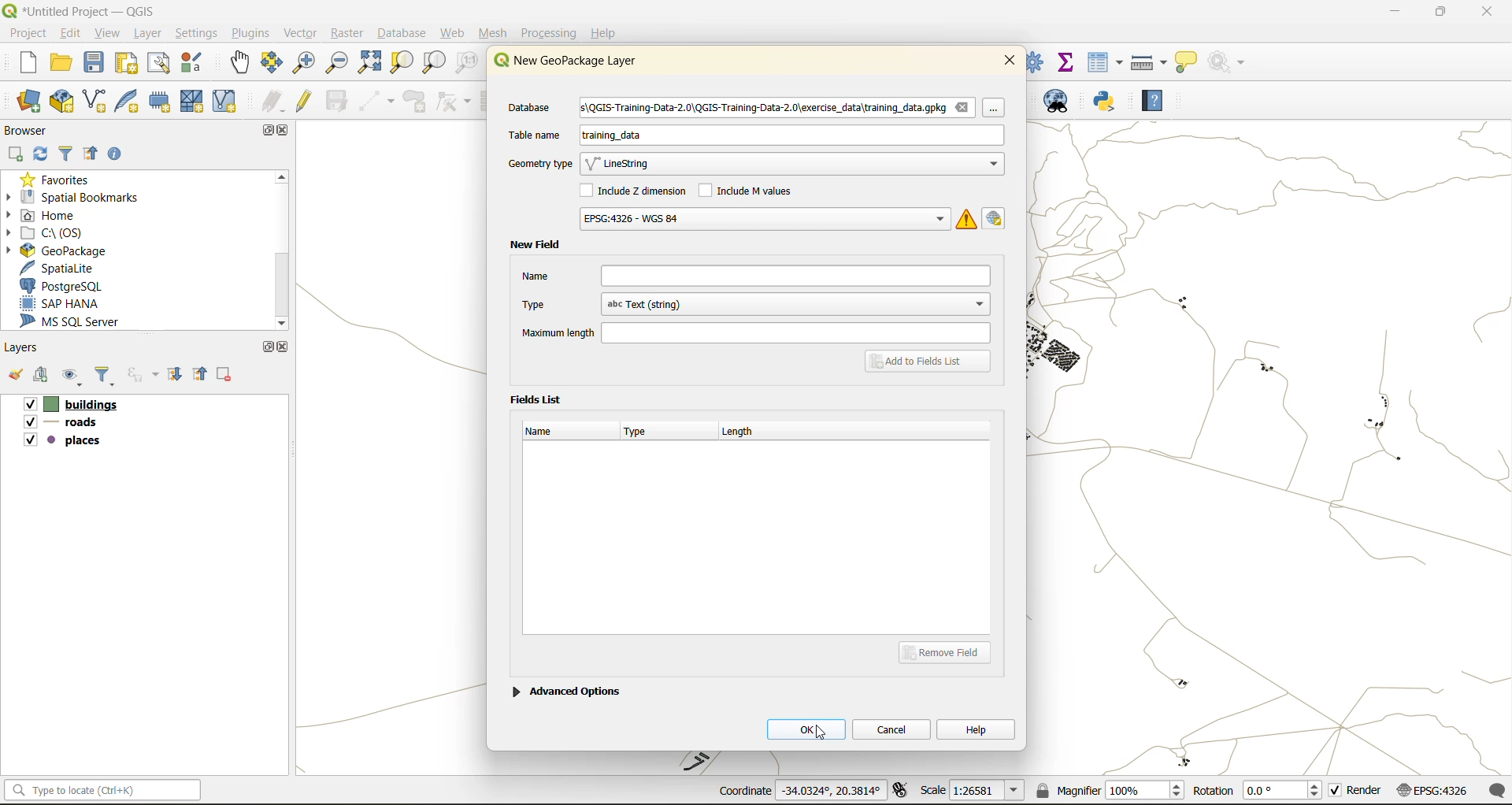 The width and height of the screenshot is (1512, 805). I want to click on web, so click(454, 33).